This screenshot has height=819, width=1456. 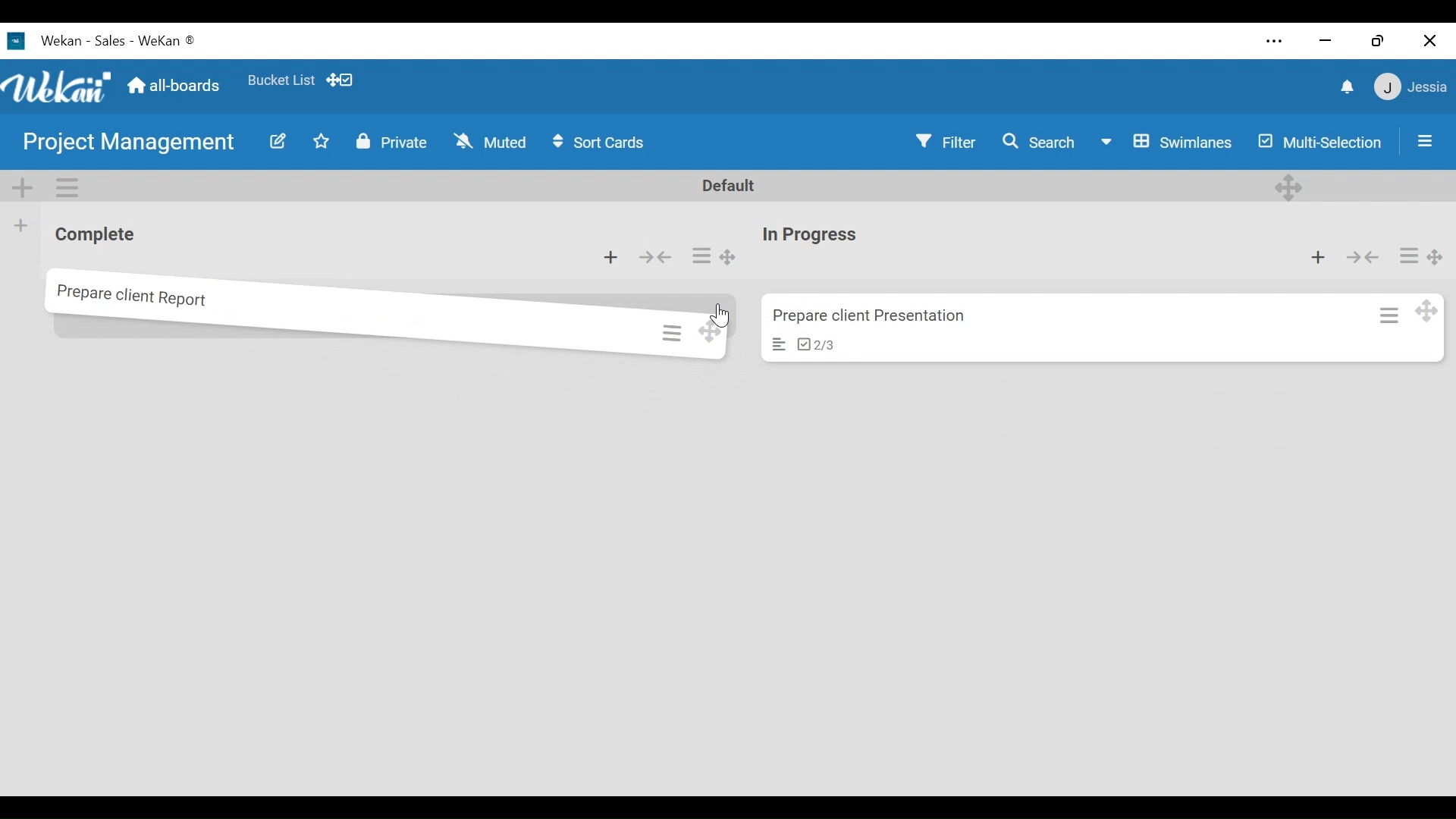 I want to click on Board View, so click(x=1167, y=143).